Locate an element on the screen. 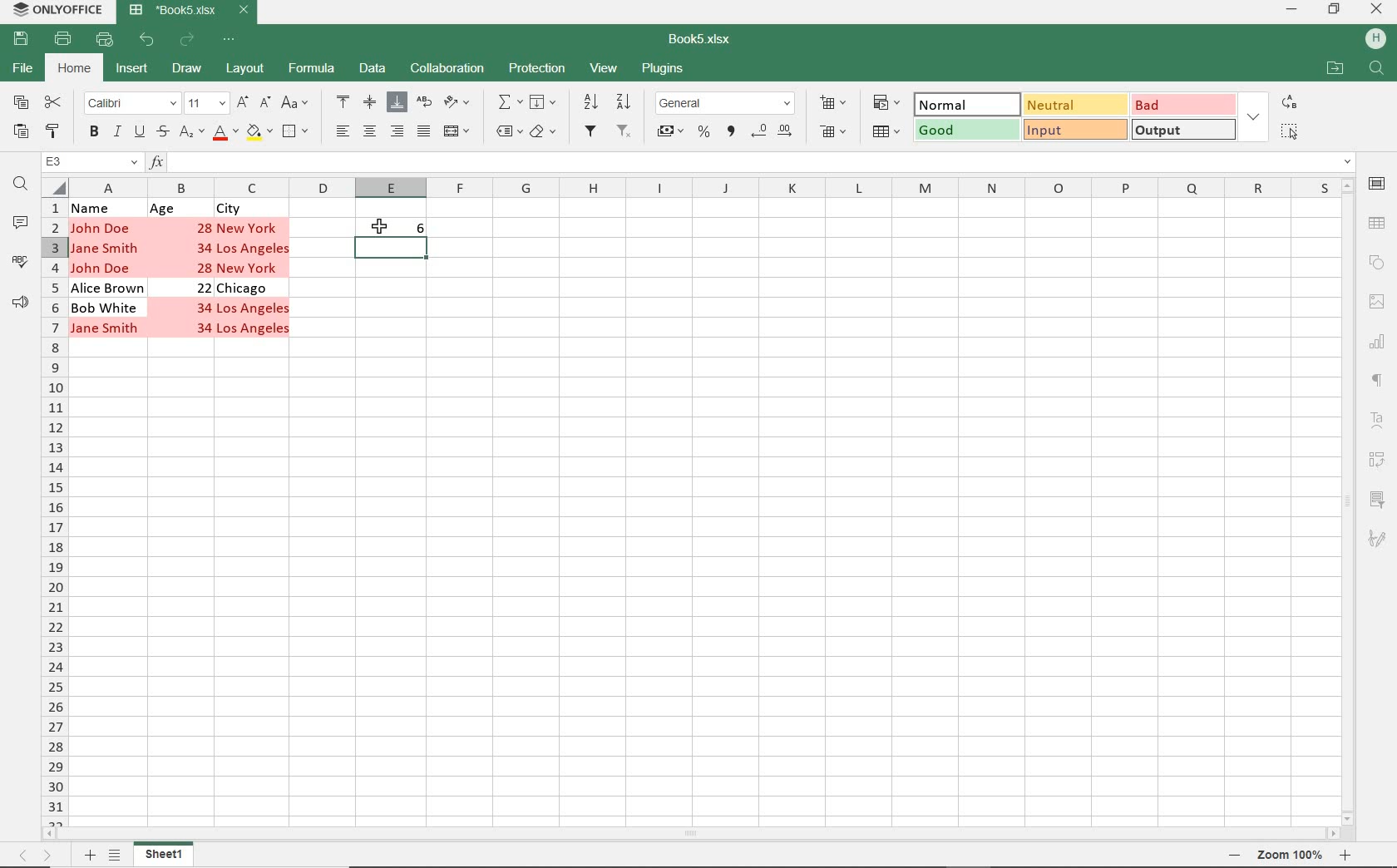 This screenshot has width=1397, height=868. 34 is located at coordinates (207, 247).